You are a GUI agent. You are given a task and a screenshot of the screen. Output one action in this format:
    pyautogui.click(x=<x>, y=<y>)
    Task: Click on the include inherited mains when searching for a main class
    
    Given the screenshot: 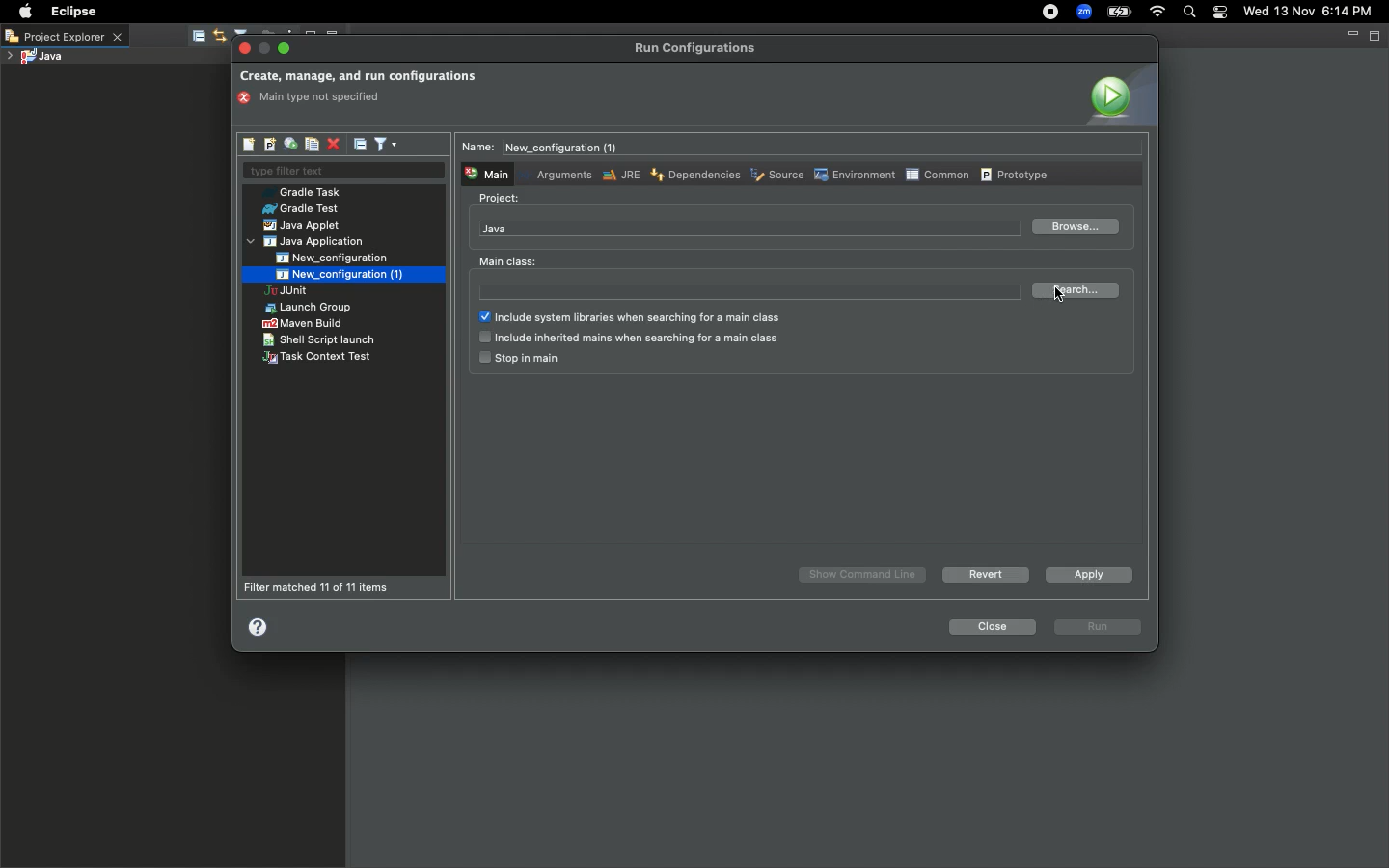 What is the action you would take?
    pyautogui.click(x=628, y=339)
    